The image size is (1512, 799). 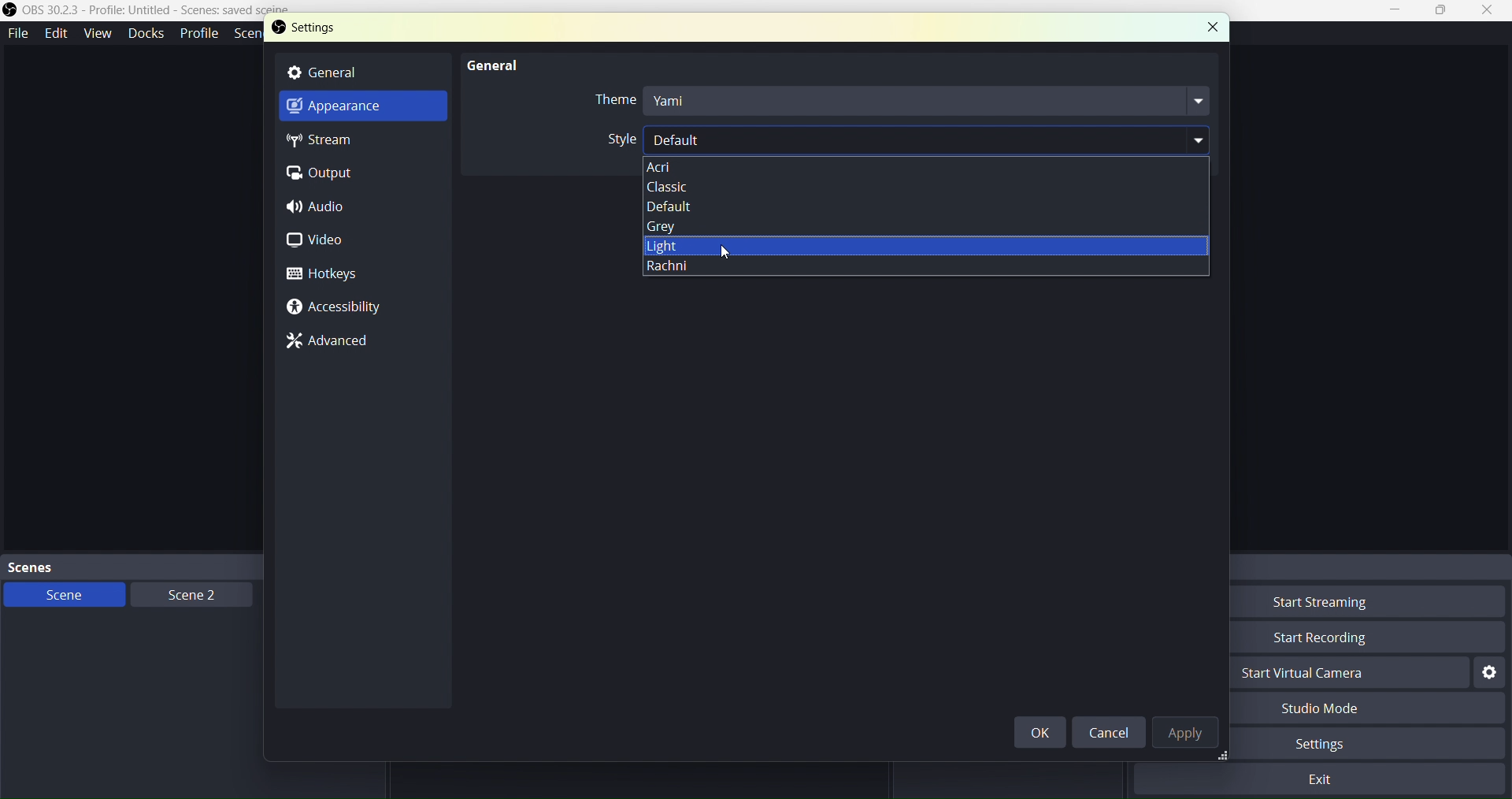 I want to click on Exit, so click(x=1325, y=779).